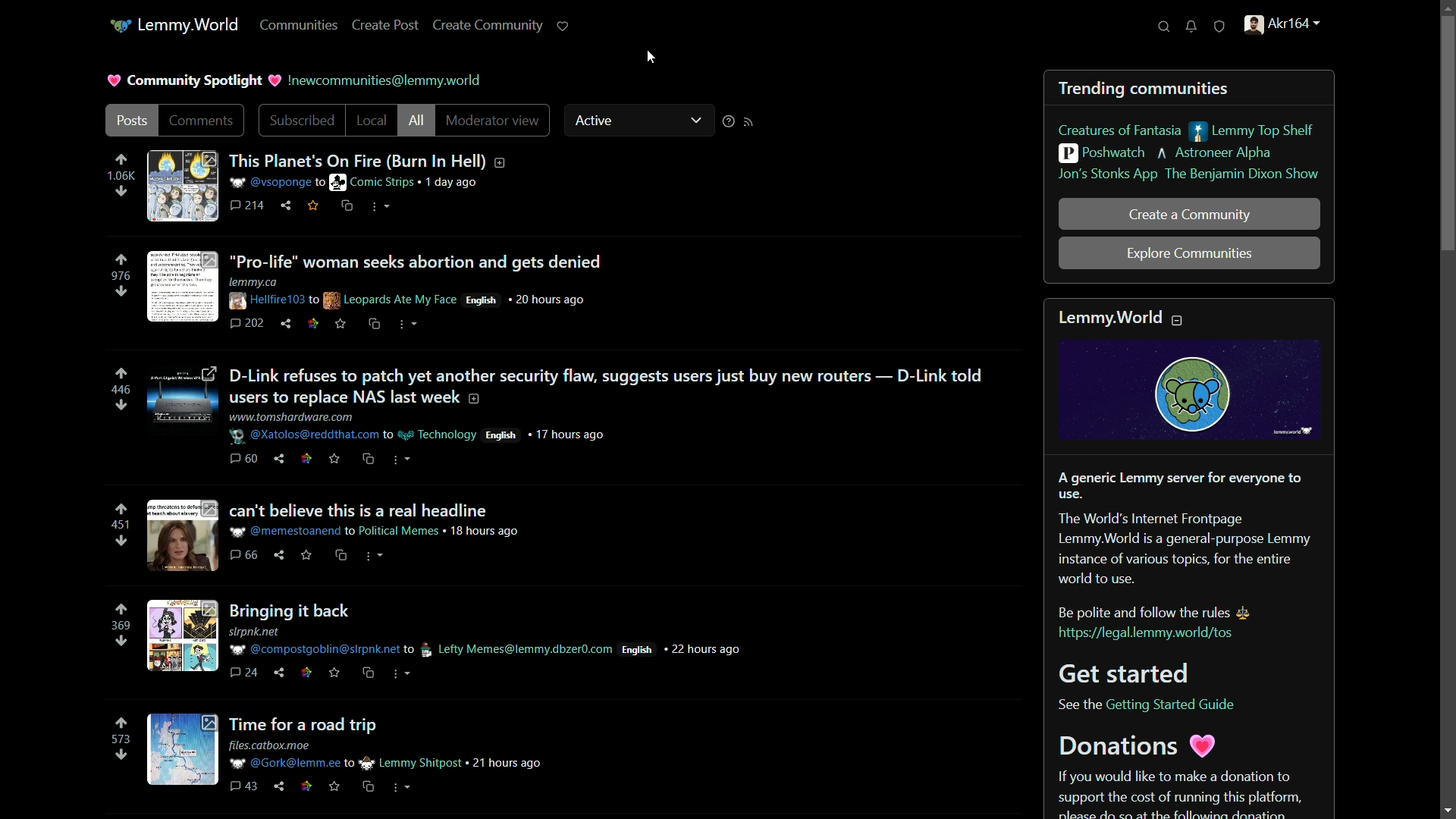 This screenshot has width=1456, height=819. I want to click on number of votes, so click(119, 739).